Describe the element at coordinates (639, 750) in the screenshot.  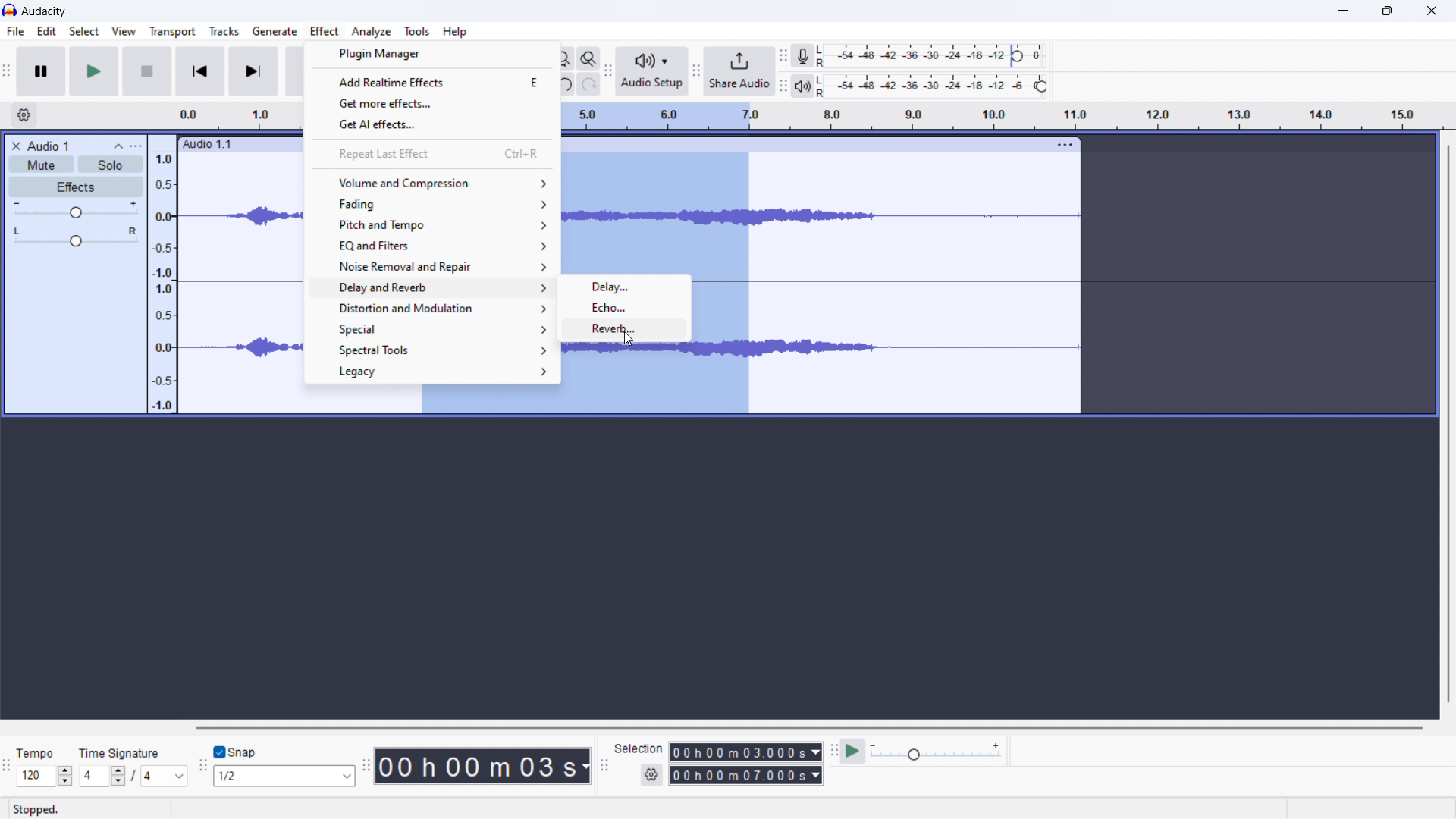
I see `Selection` at that location.